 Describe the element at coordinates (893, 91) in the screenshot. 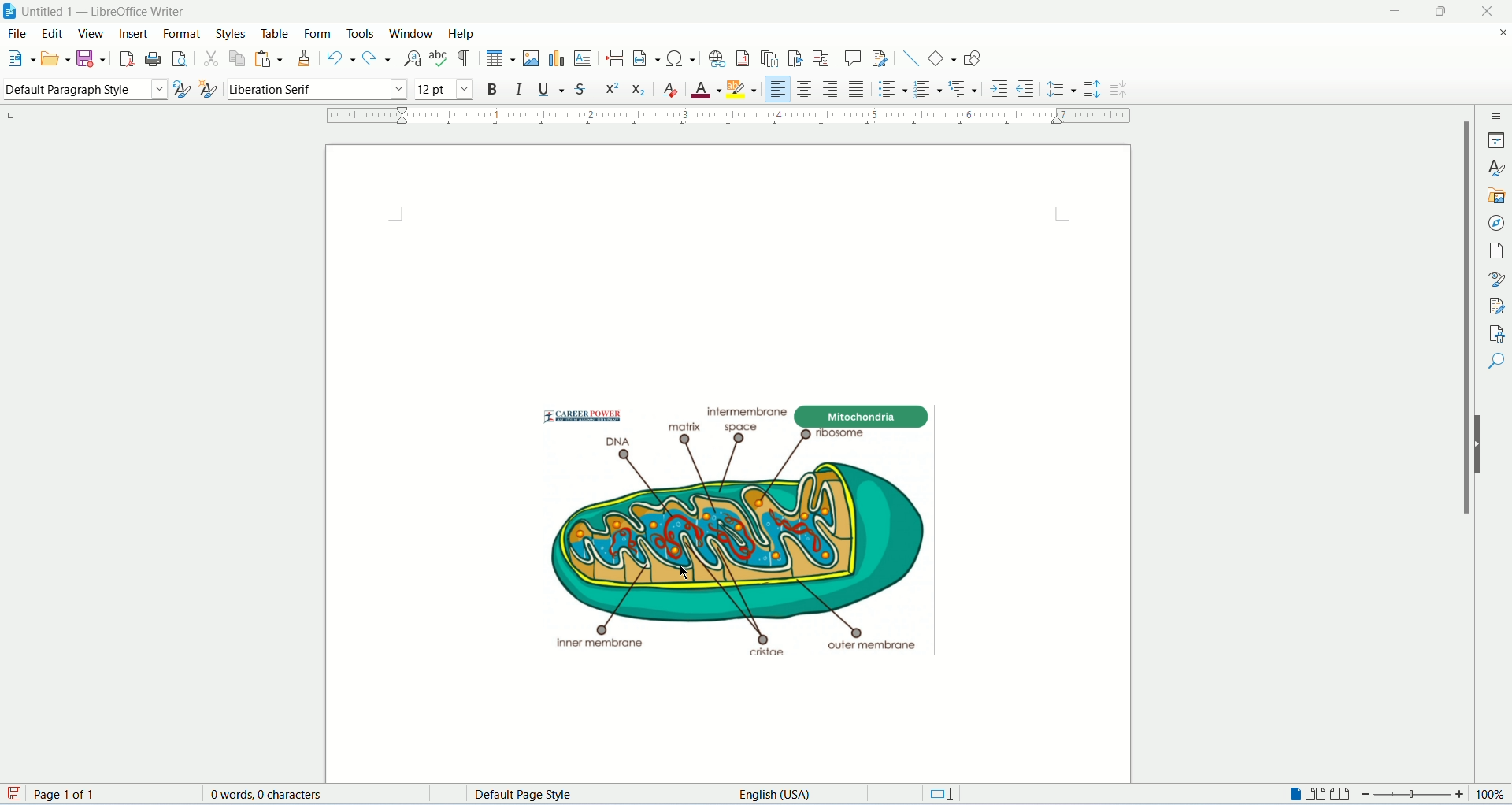

I see `unordered list` at that location.